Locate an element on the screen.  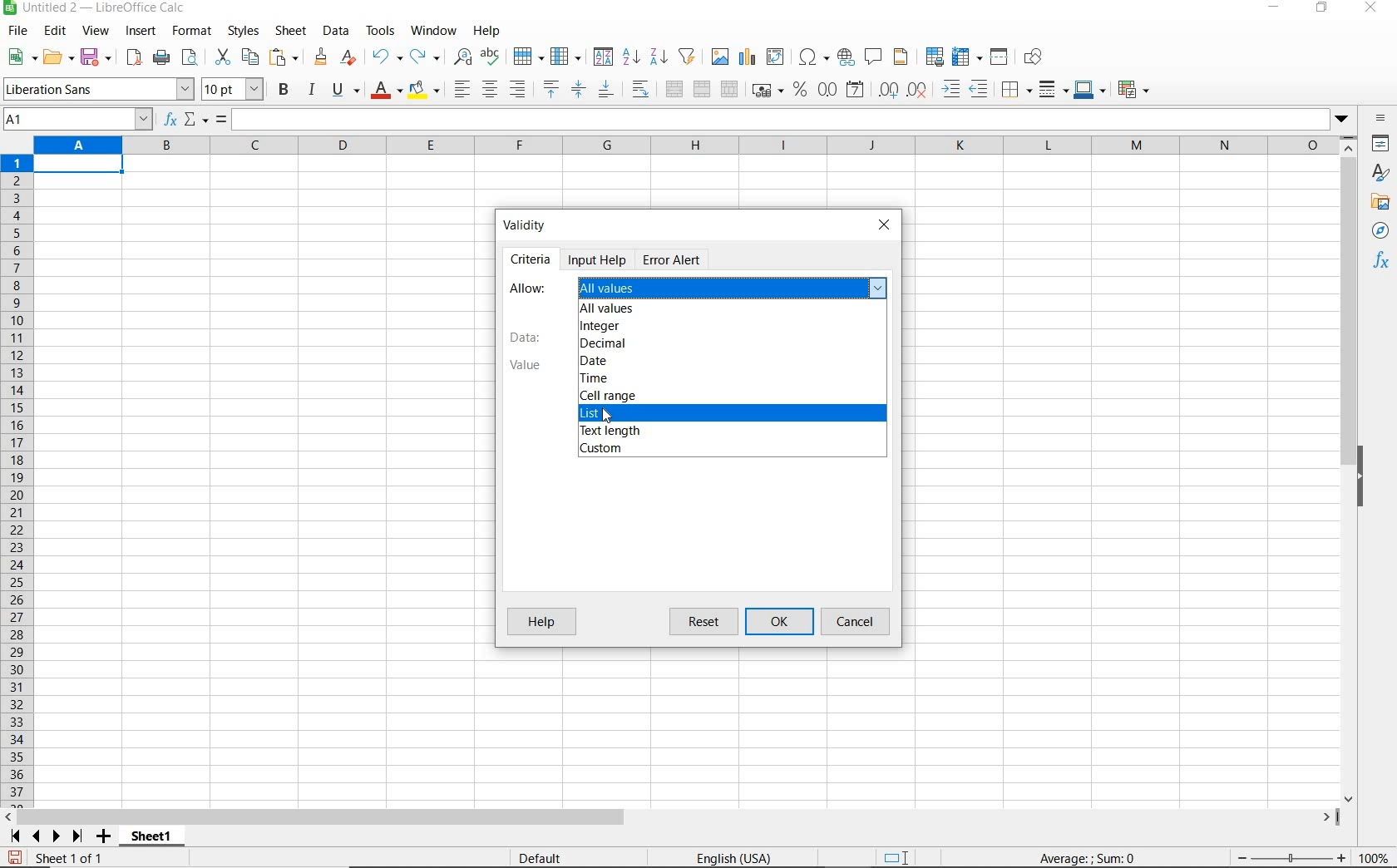
decrease indent is located at coordinates (983, 89).